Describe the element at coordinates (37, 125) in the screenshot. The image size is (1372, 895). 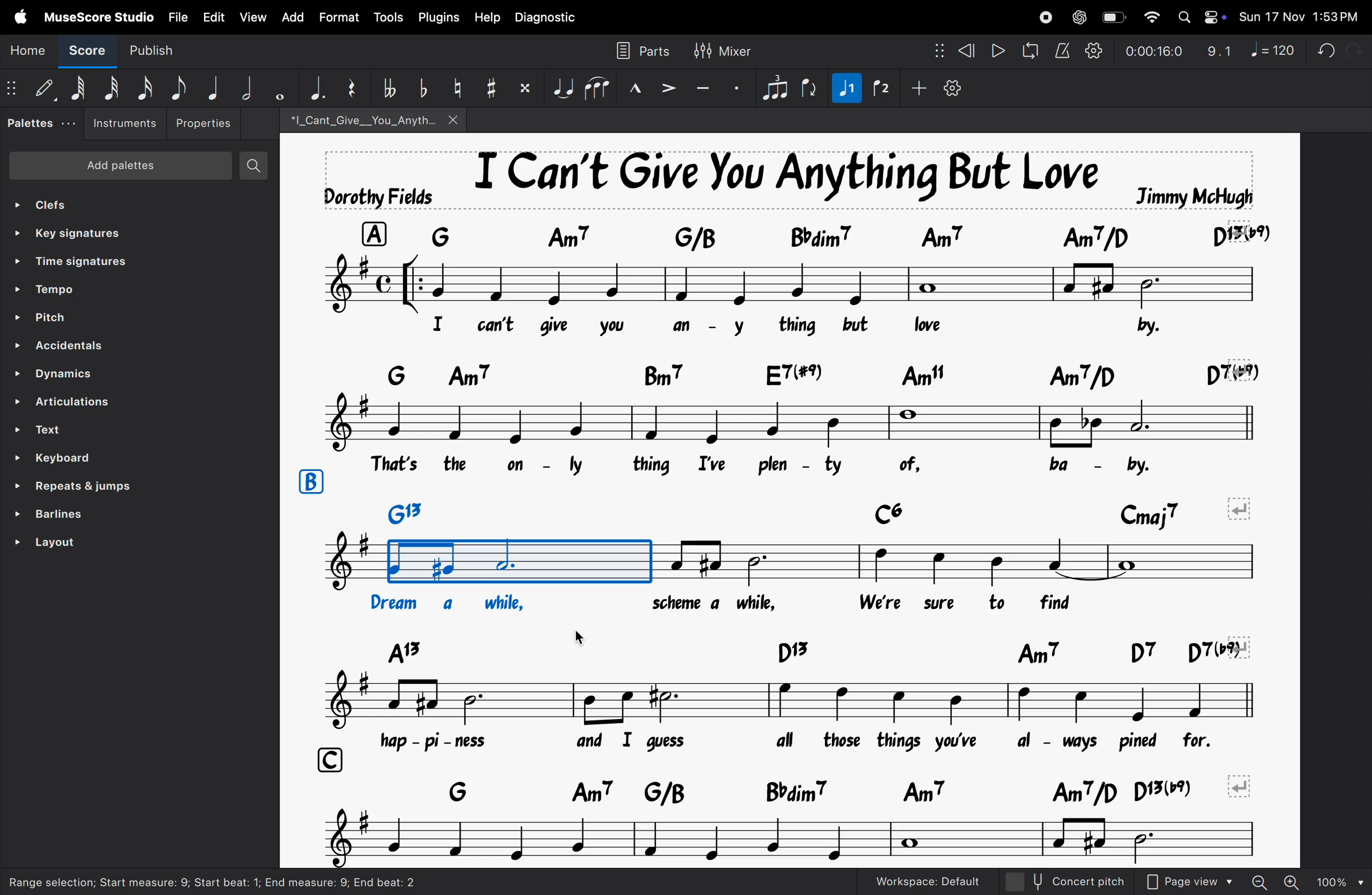
I see `palettes` at that location.